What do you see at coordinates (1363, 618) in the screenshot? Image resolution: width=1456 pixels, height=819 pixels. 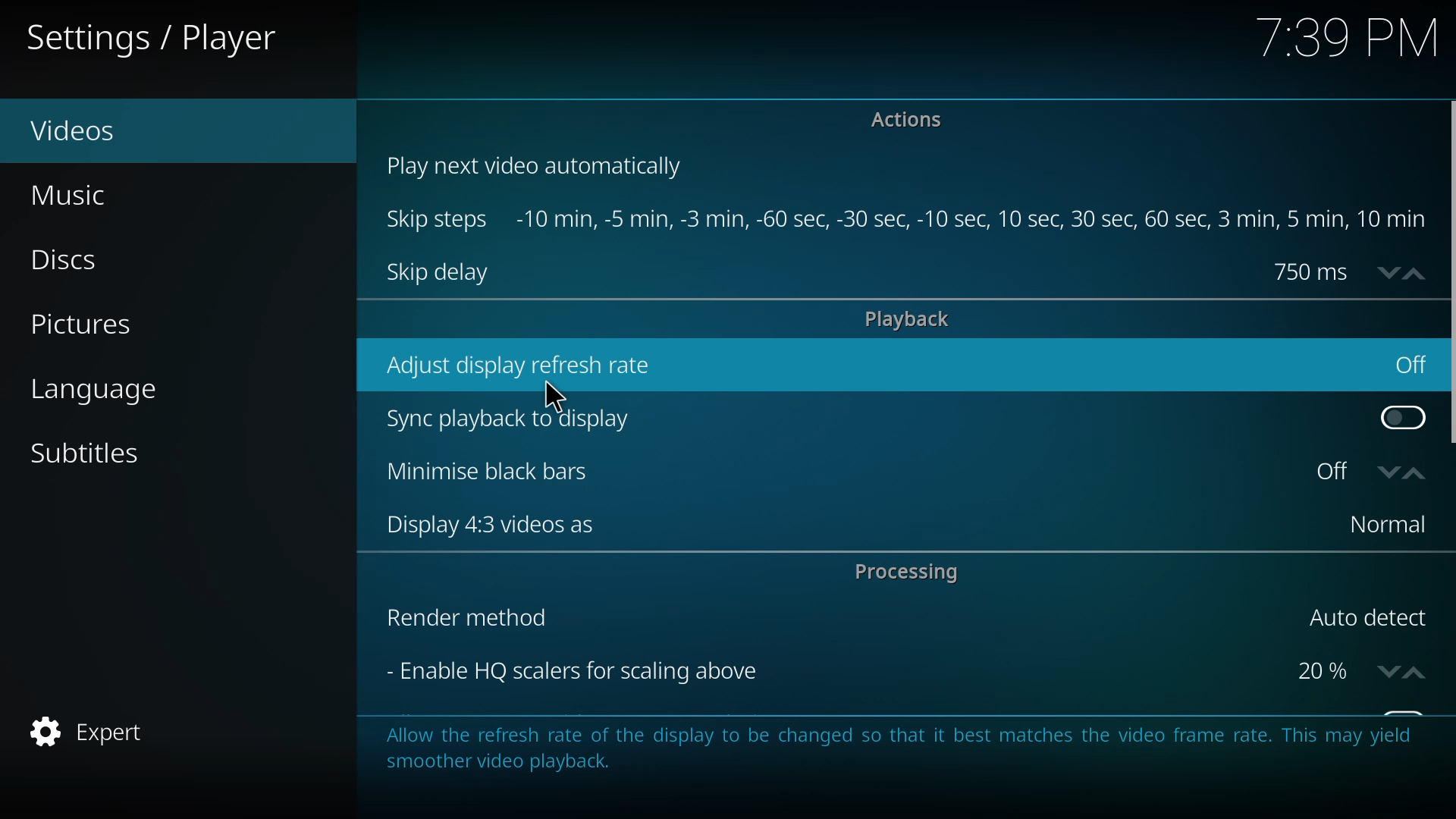 I see `auto detect` at bounding box center [1363, 618].